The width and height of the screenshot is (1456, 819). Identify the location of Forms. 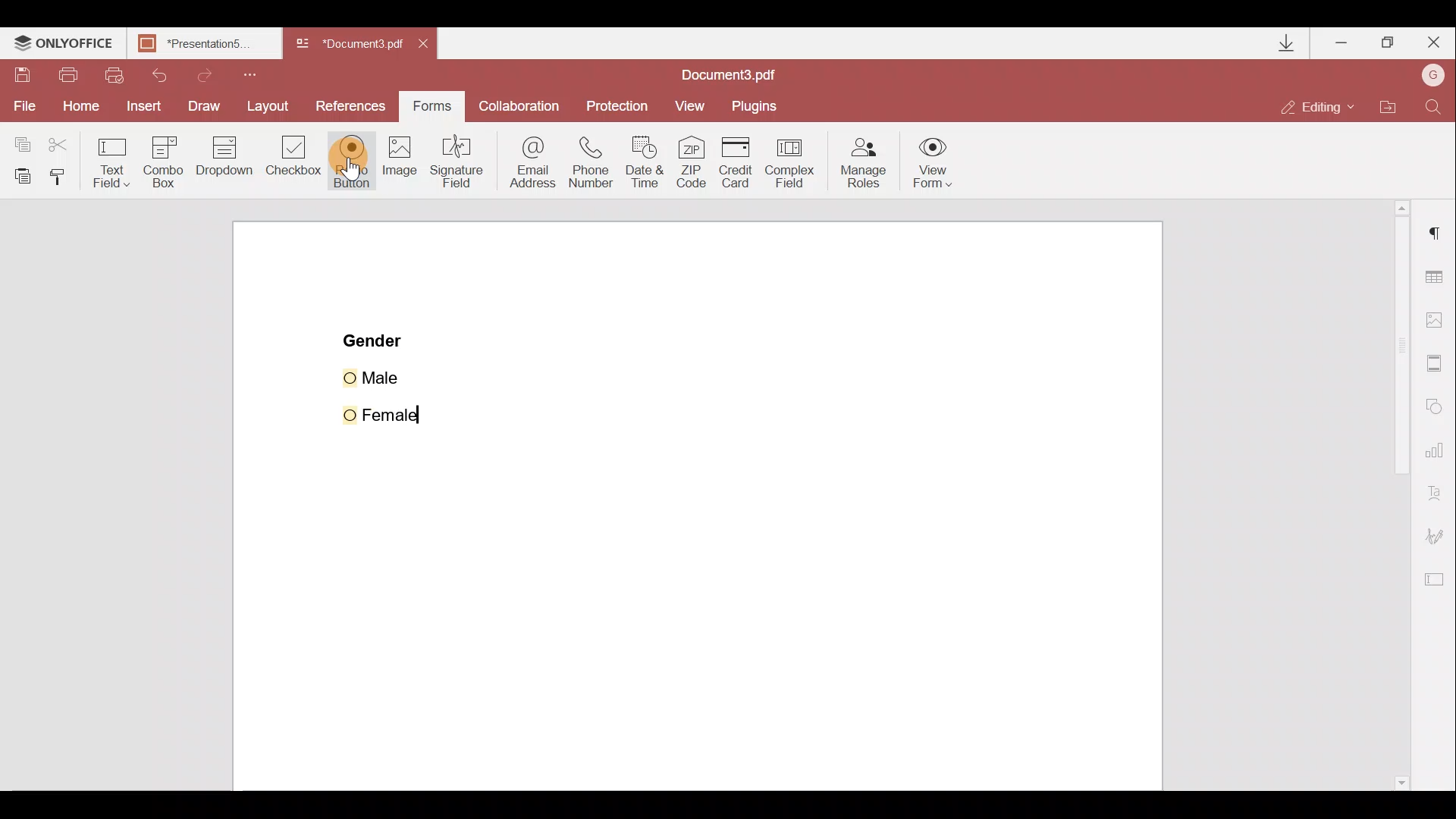
(436, 106).